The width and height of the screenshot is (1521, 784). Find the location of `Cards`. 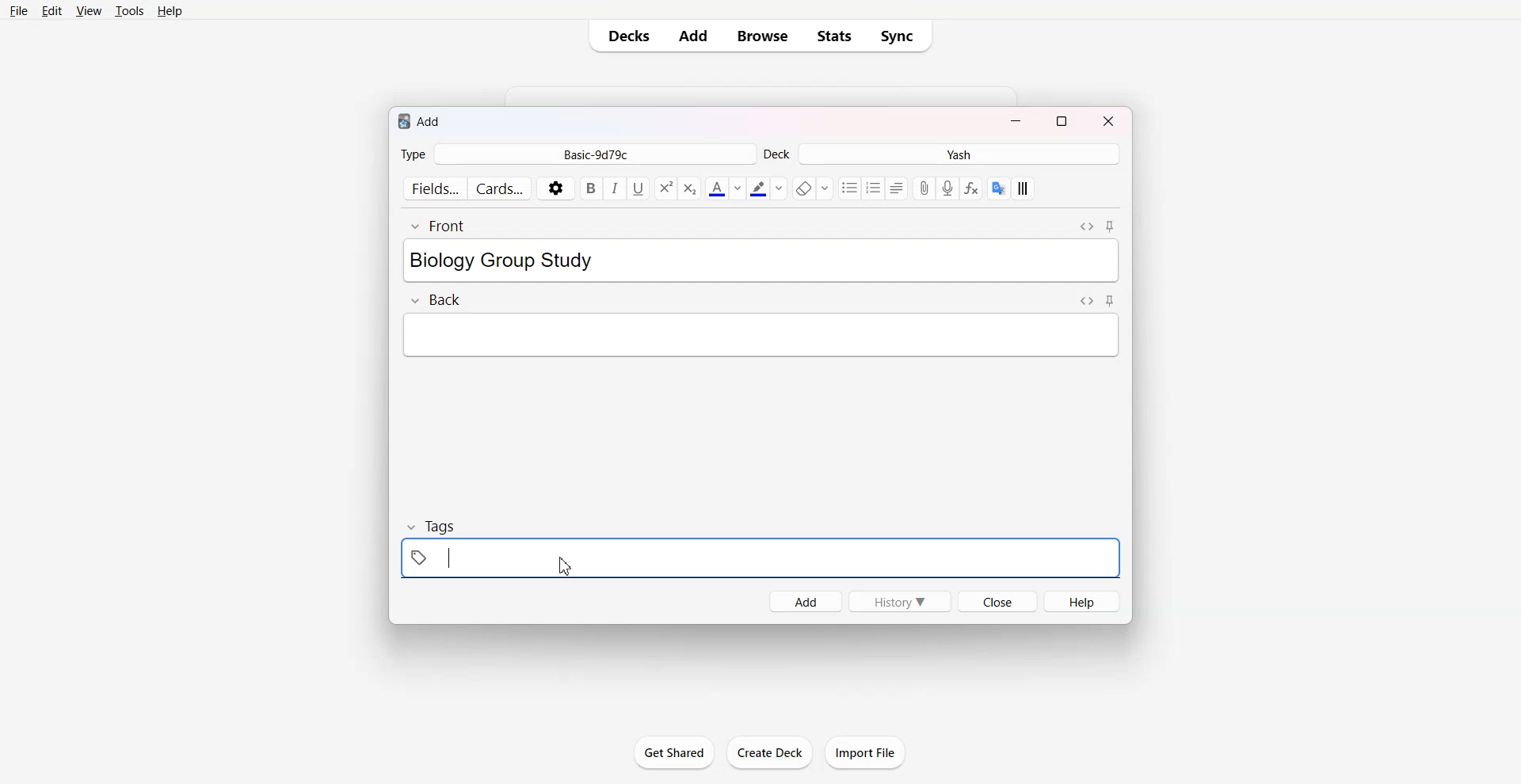

Cards is located at coordinates (501, 187).